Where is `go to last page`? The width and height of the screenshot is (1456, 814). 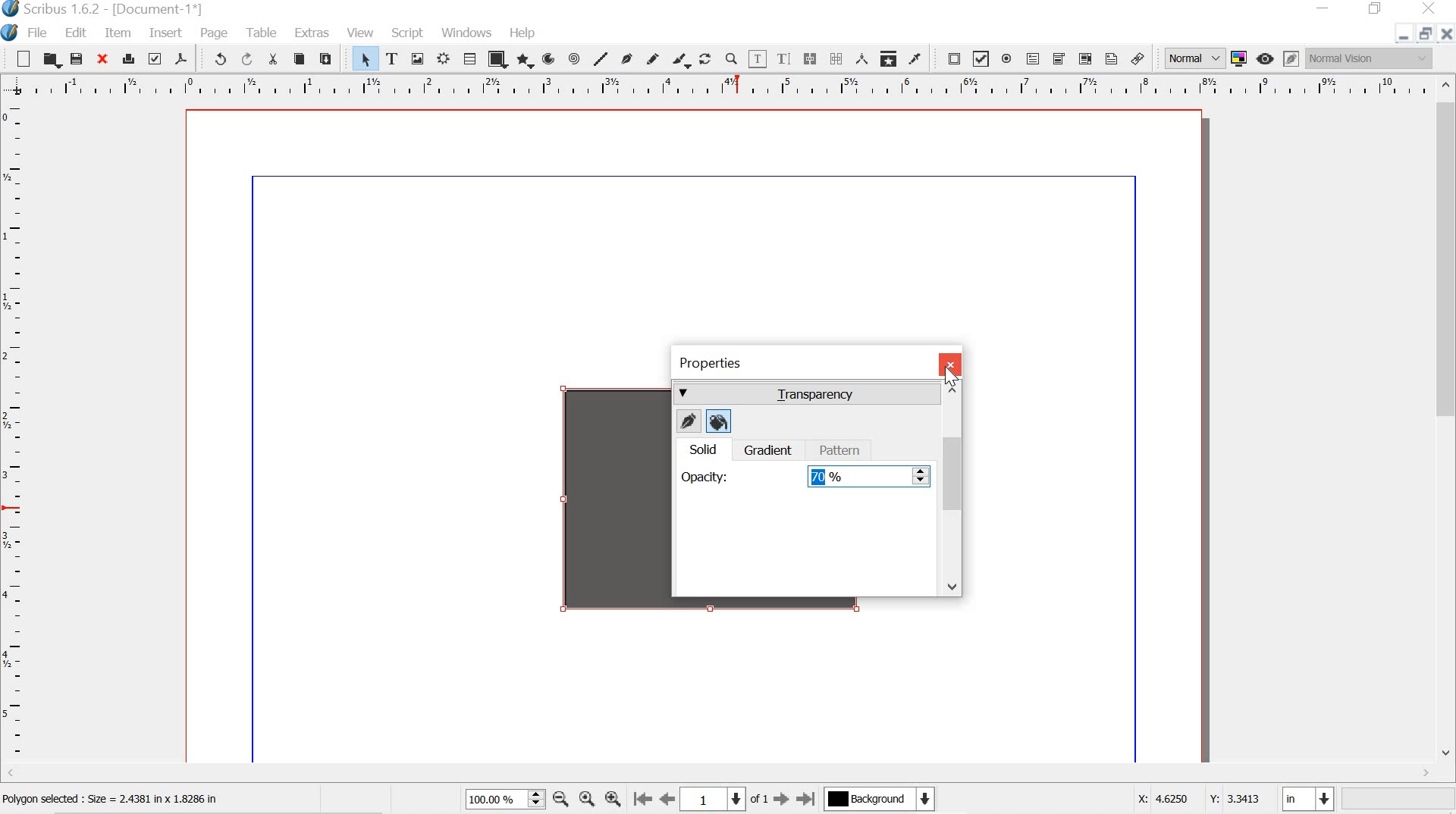
go to last page is located at coordinates (805, 799).